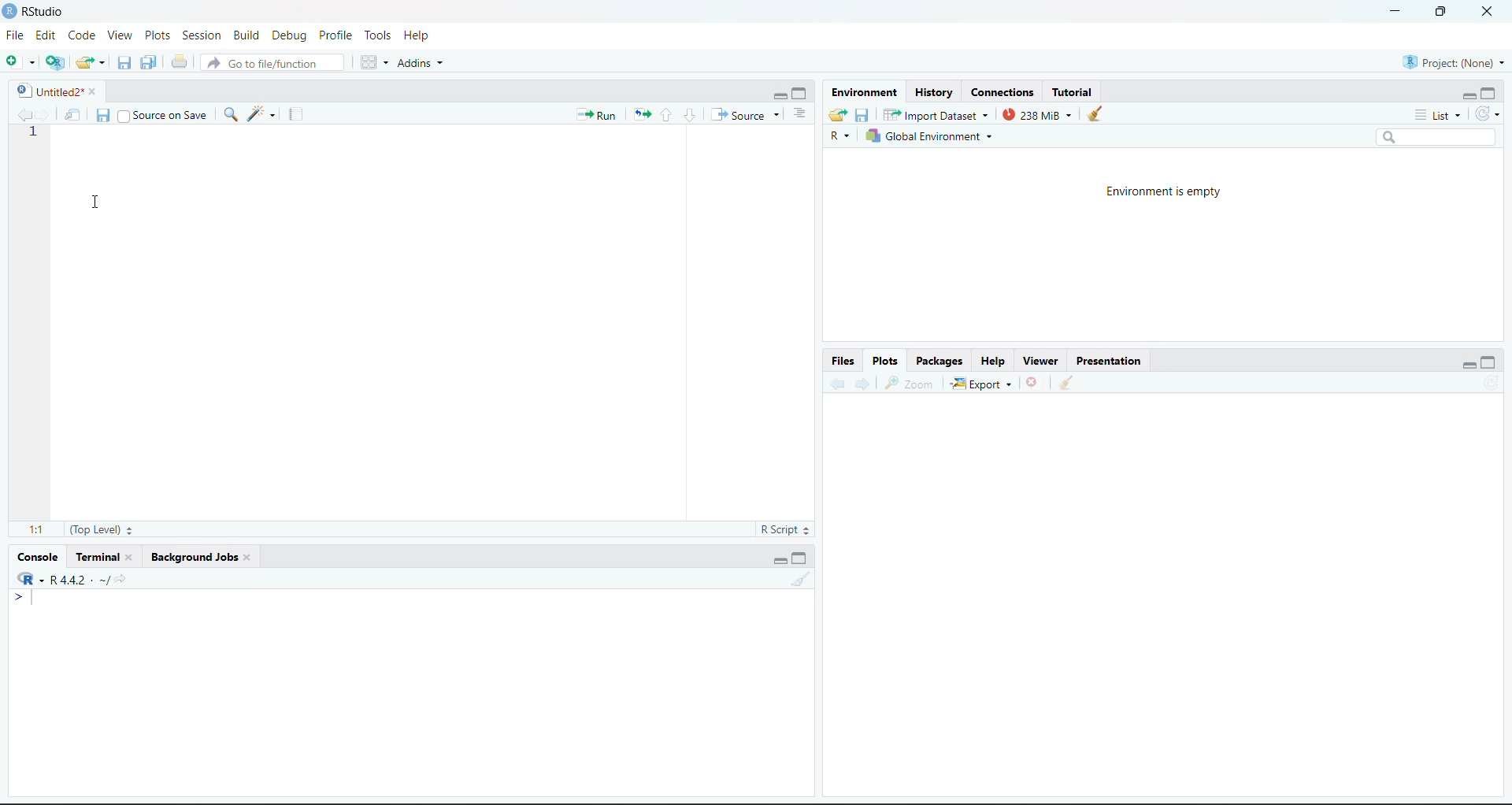 Image resolution: width=1512 pixels, height=805 pixels. What do you see at coordinates (1439, 116) in the screenshot?
I see `List` at bounding box center [1439, 116].